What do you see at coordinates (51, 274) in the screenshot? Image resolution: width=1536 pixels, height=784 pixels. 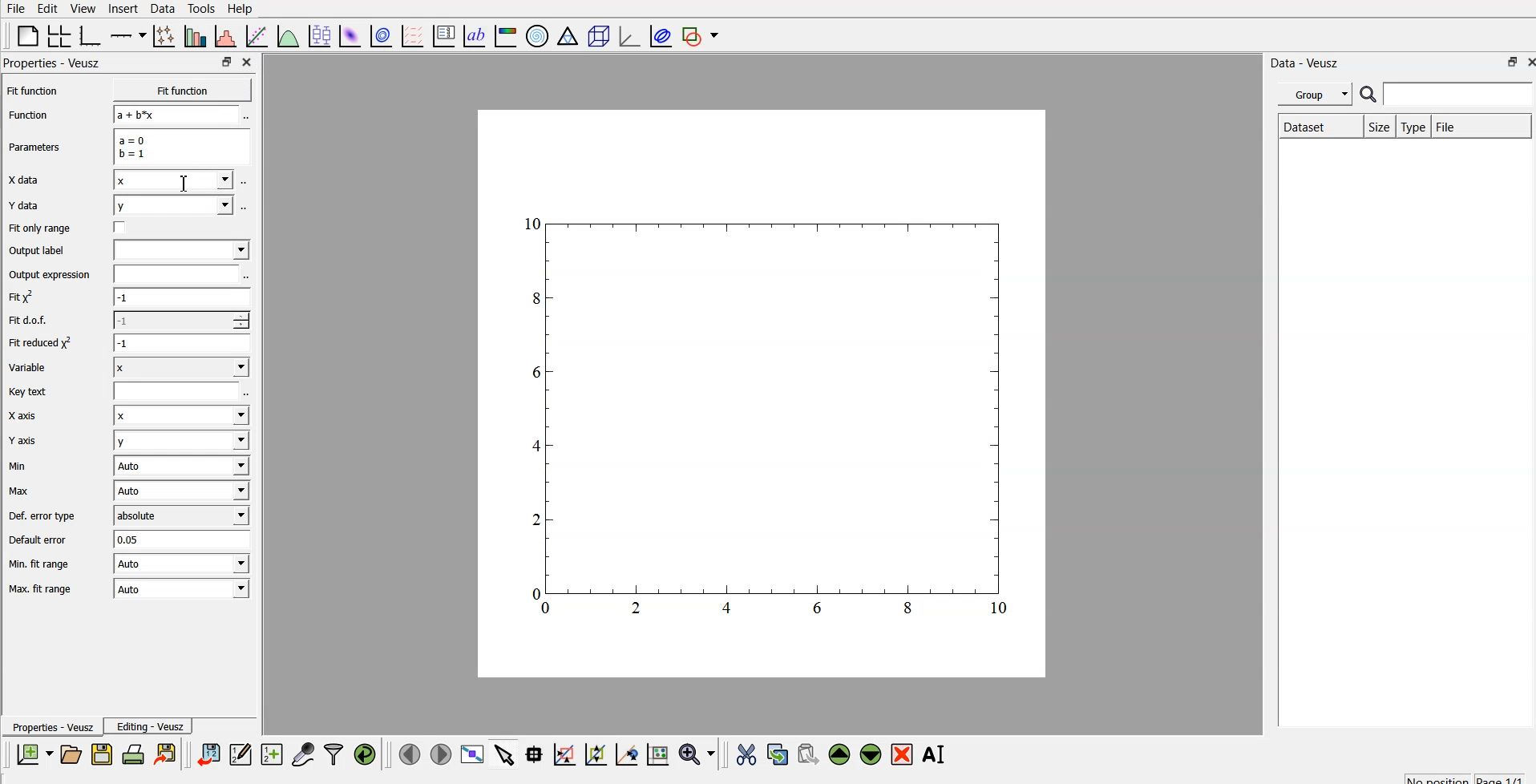 I see `Output expression` at bounding box center [51, 274].